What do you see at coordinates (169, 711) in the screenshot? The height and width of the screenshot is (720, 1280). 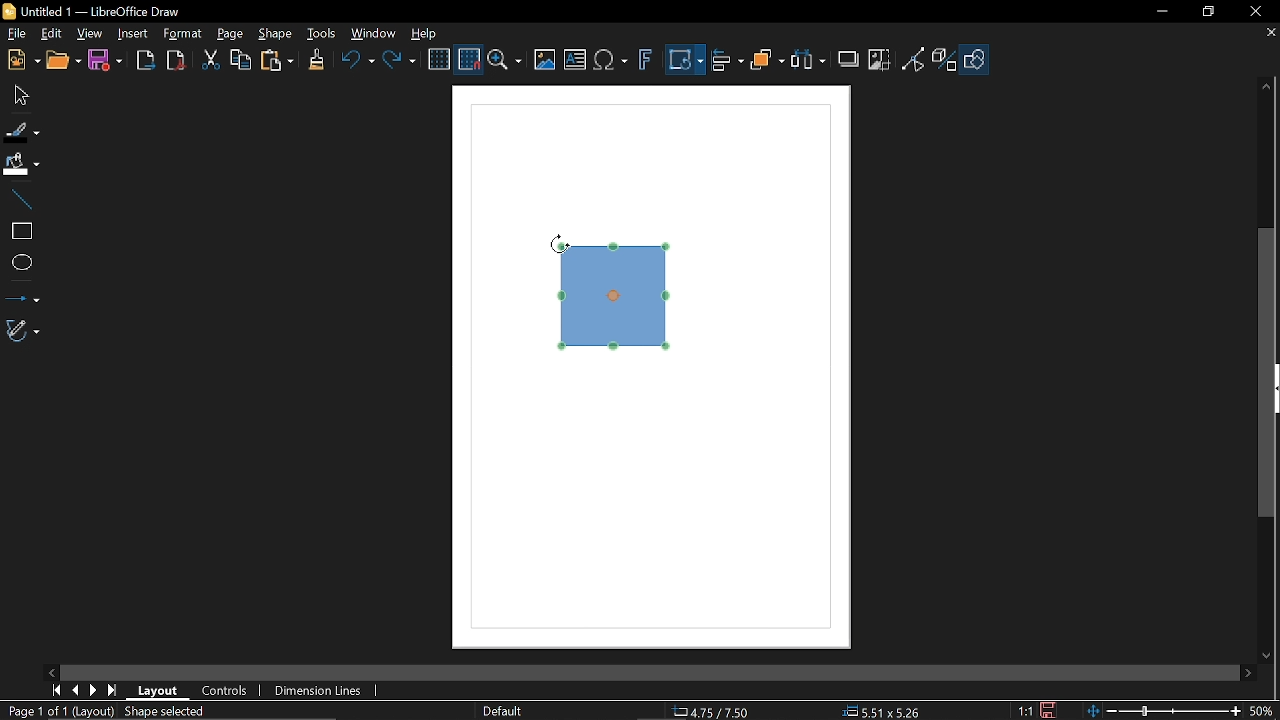 I see `Shaped selected` at bounding box center [169, 711].